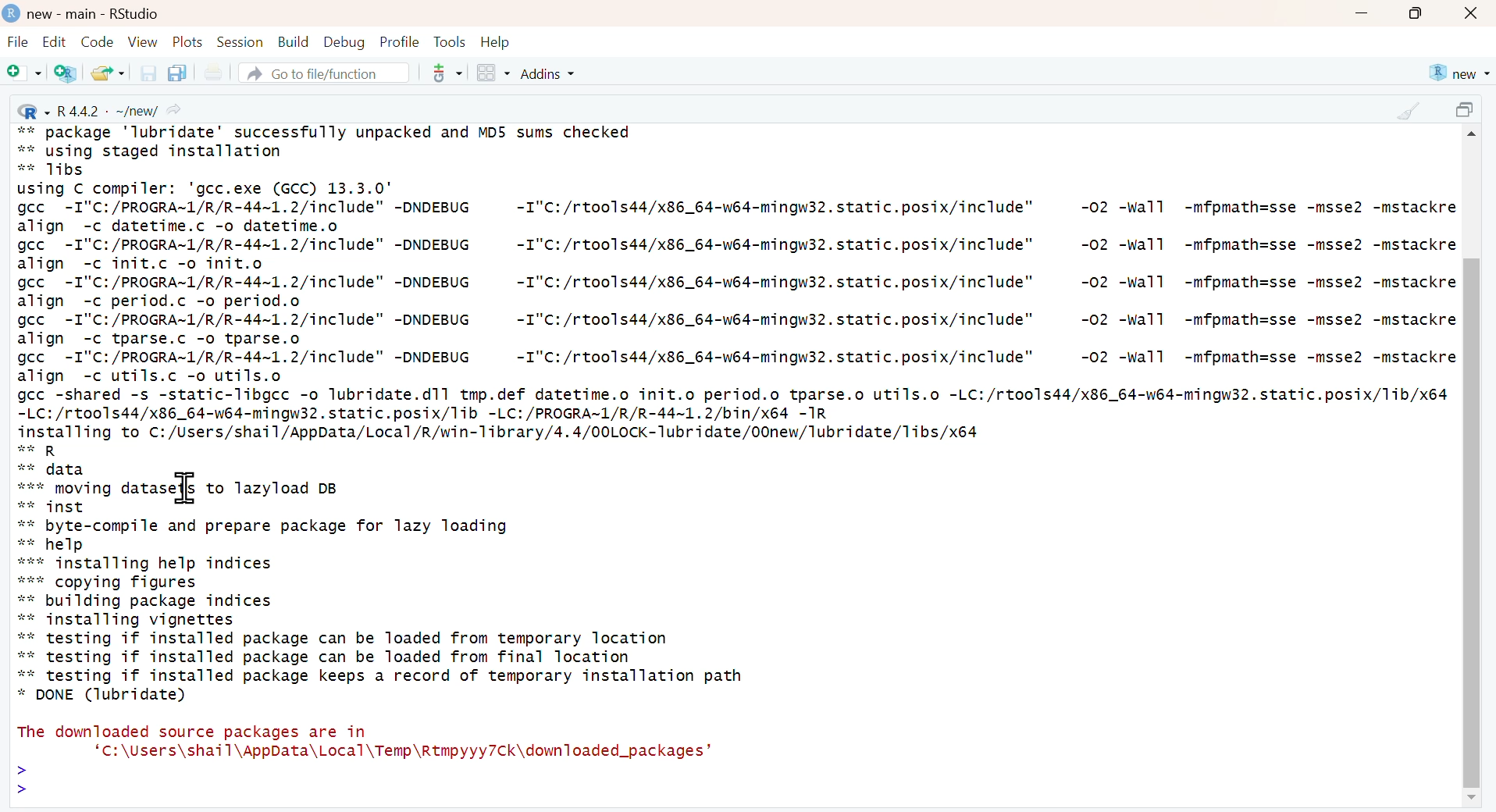  Describe the element at coordinates (95, 14) in the screenshot. I see `new - main - RStudio` at that location.